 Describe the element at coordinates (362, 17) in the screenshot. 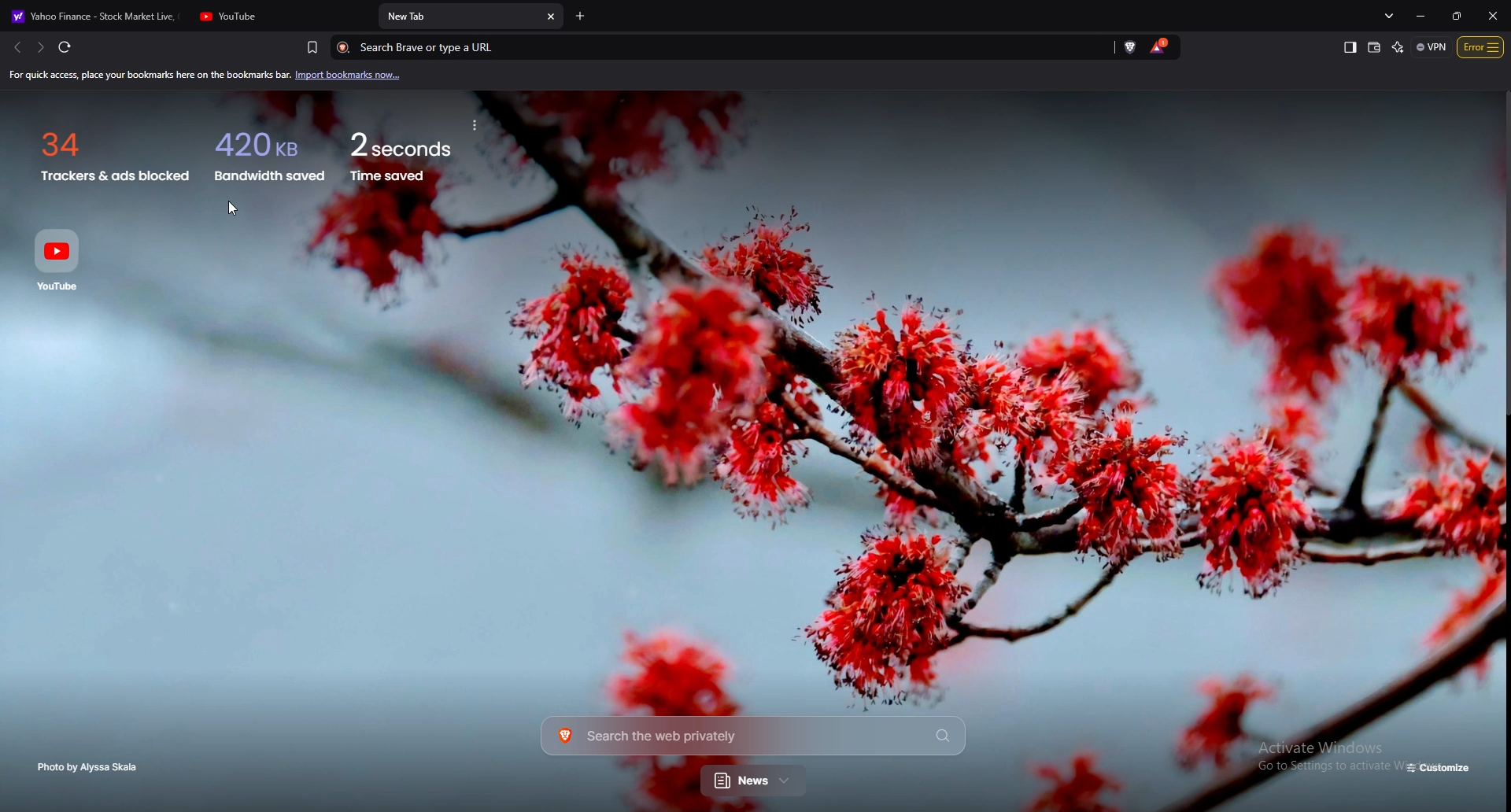

I see `close tab` at that location.